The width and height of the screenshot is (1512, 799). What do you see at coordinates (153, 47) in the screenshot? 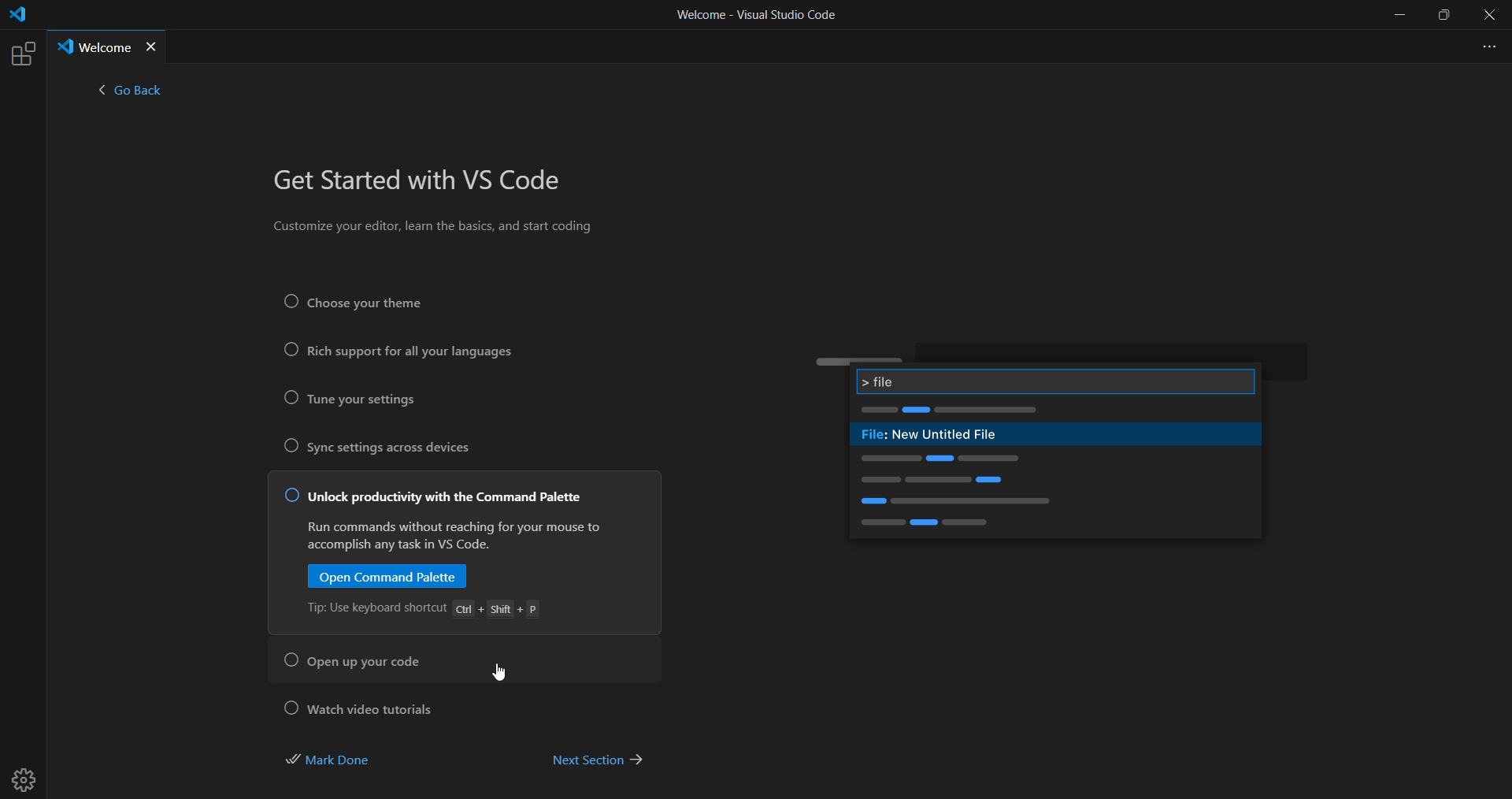
I see `close tab` at bounding box center [153, 47].